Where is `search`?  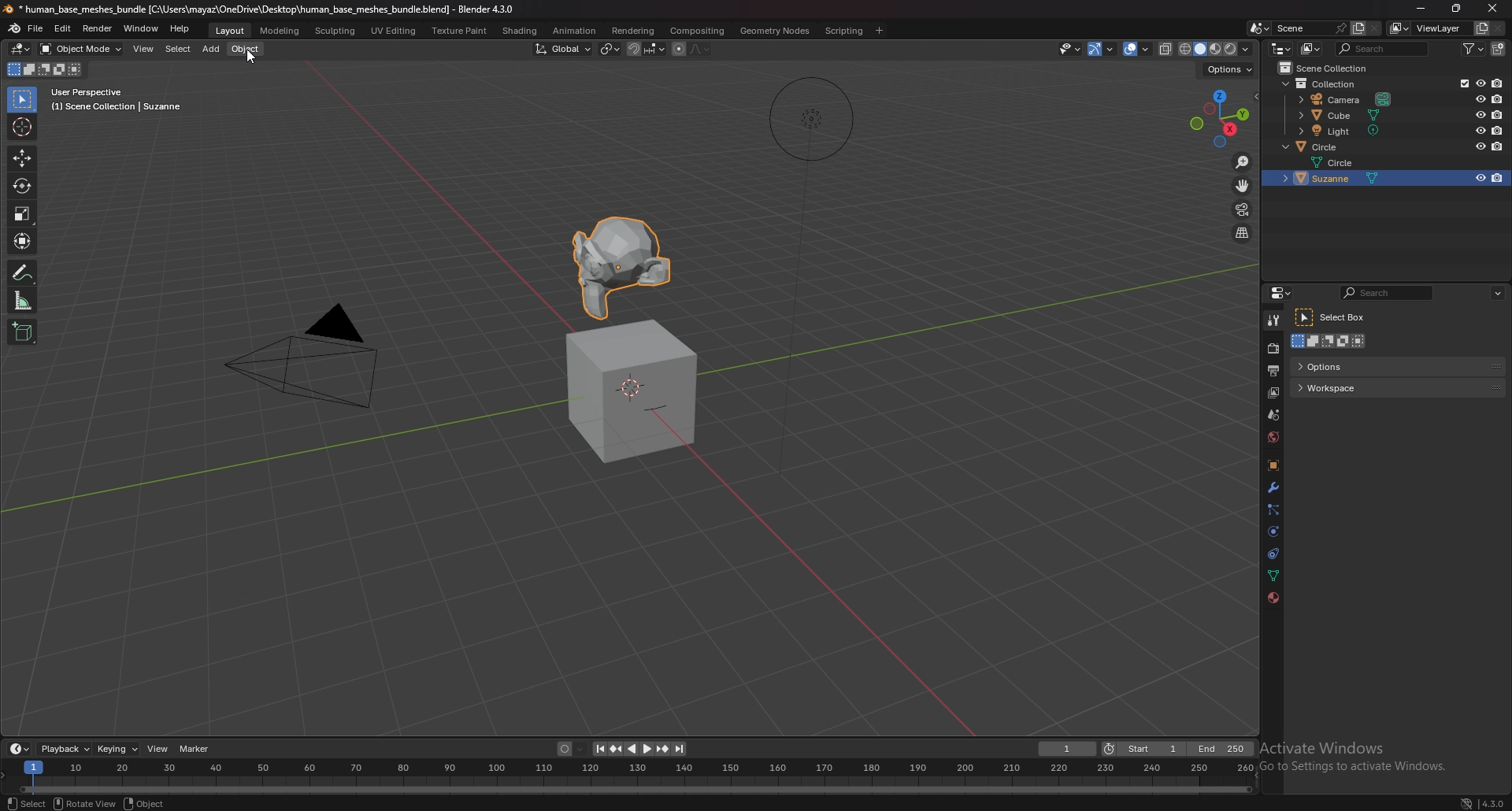 search is located at coordinates (1384, 49).